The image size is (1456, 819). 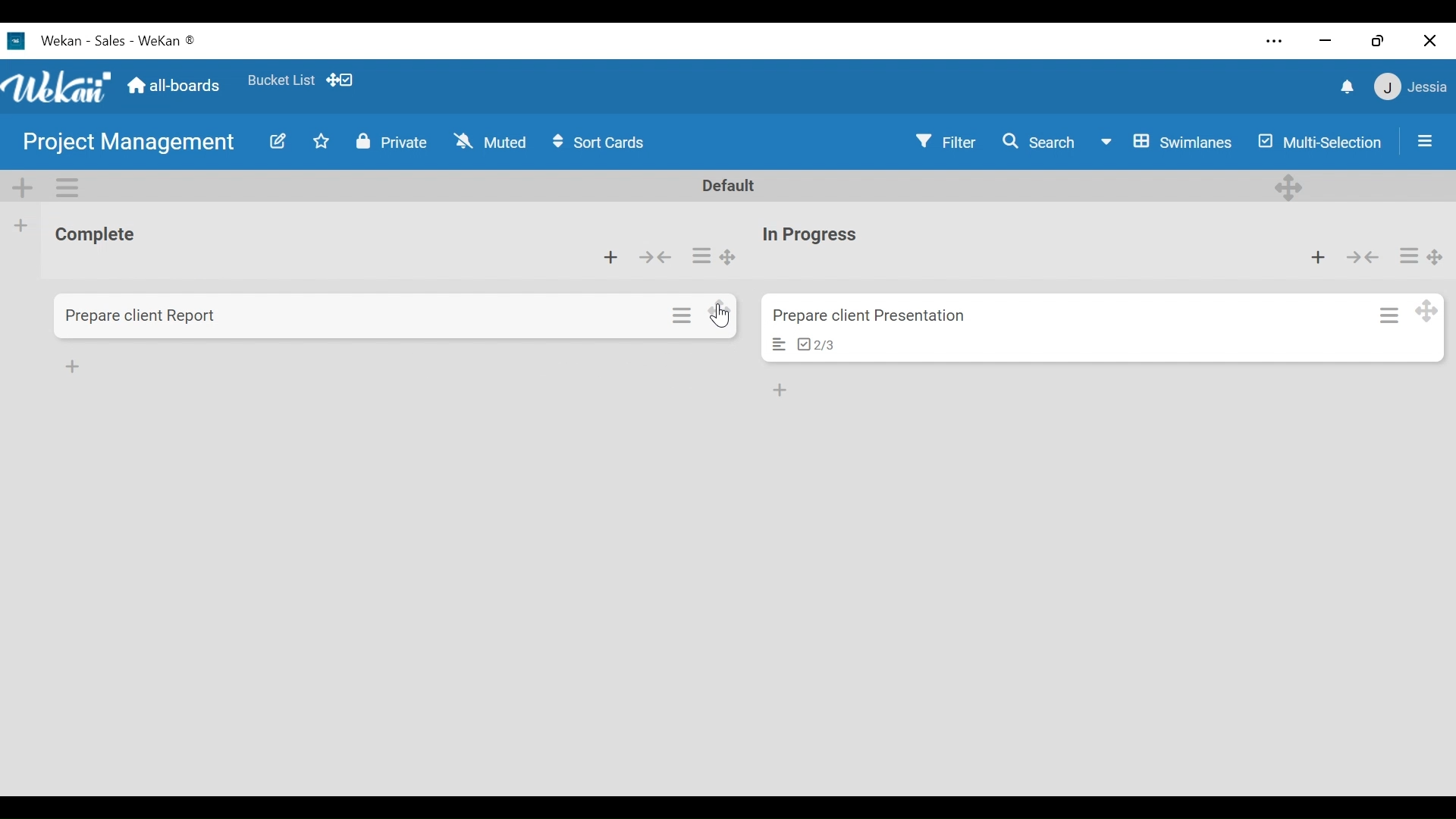 I want to click on List actions, so click(x=702, y=257).